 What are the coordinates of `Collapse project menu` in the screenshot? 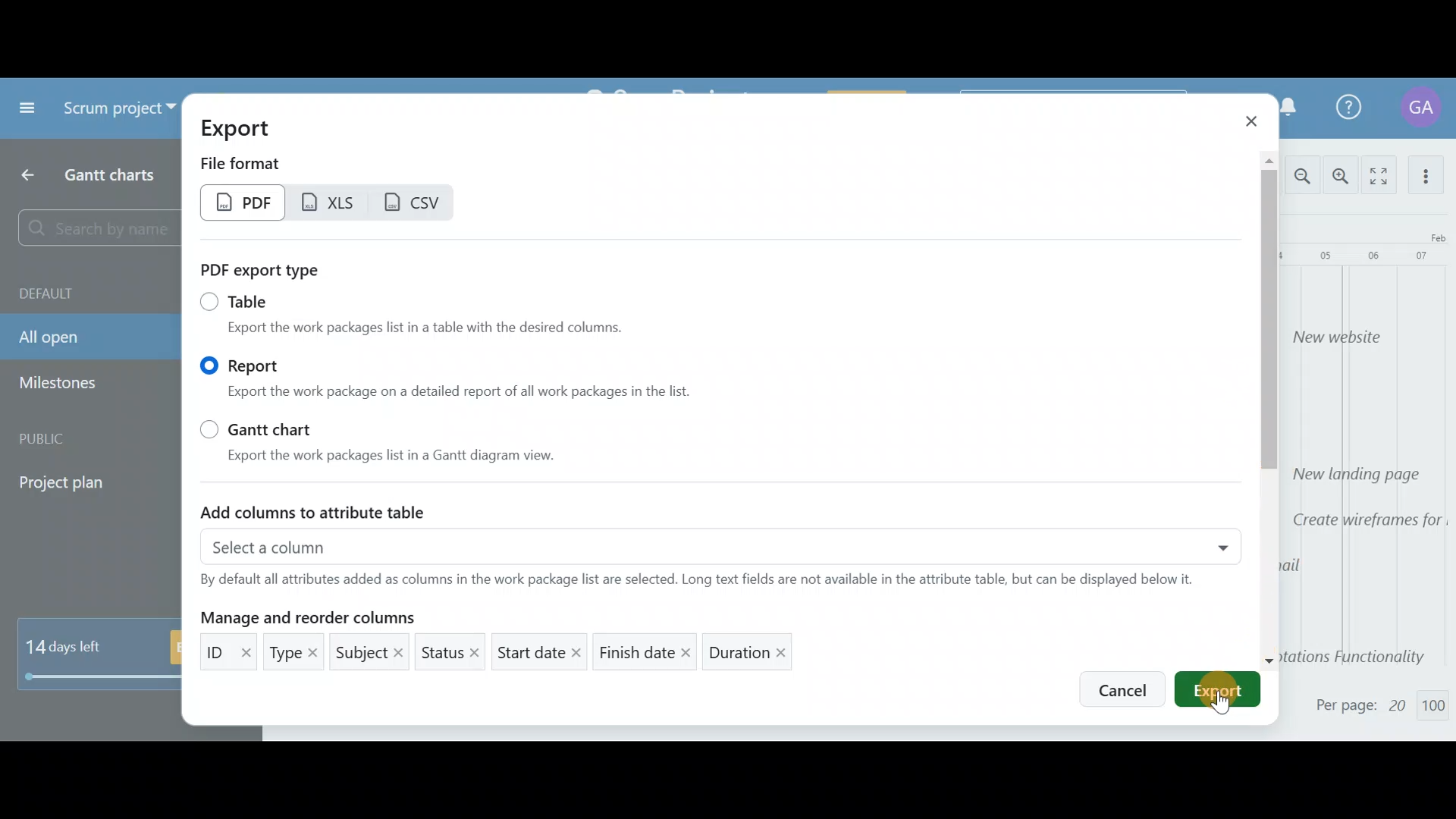 It's located at (27, 111).